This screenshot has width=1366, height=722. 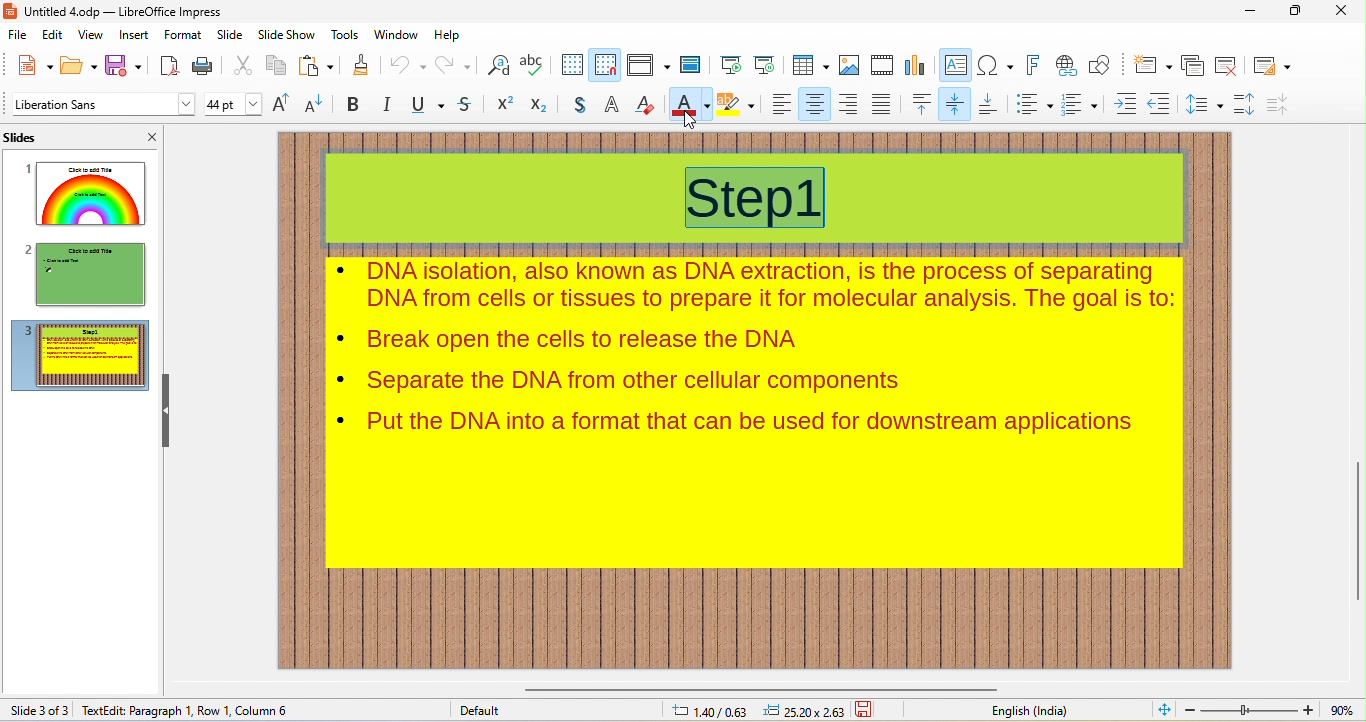 What do you see at coordinates (94, 36) in the screenshot?
I see `view` at bounding box center [94, 36].